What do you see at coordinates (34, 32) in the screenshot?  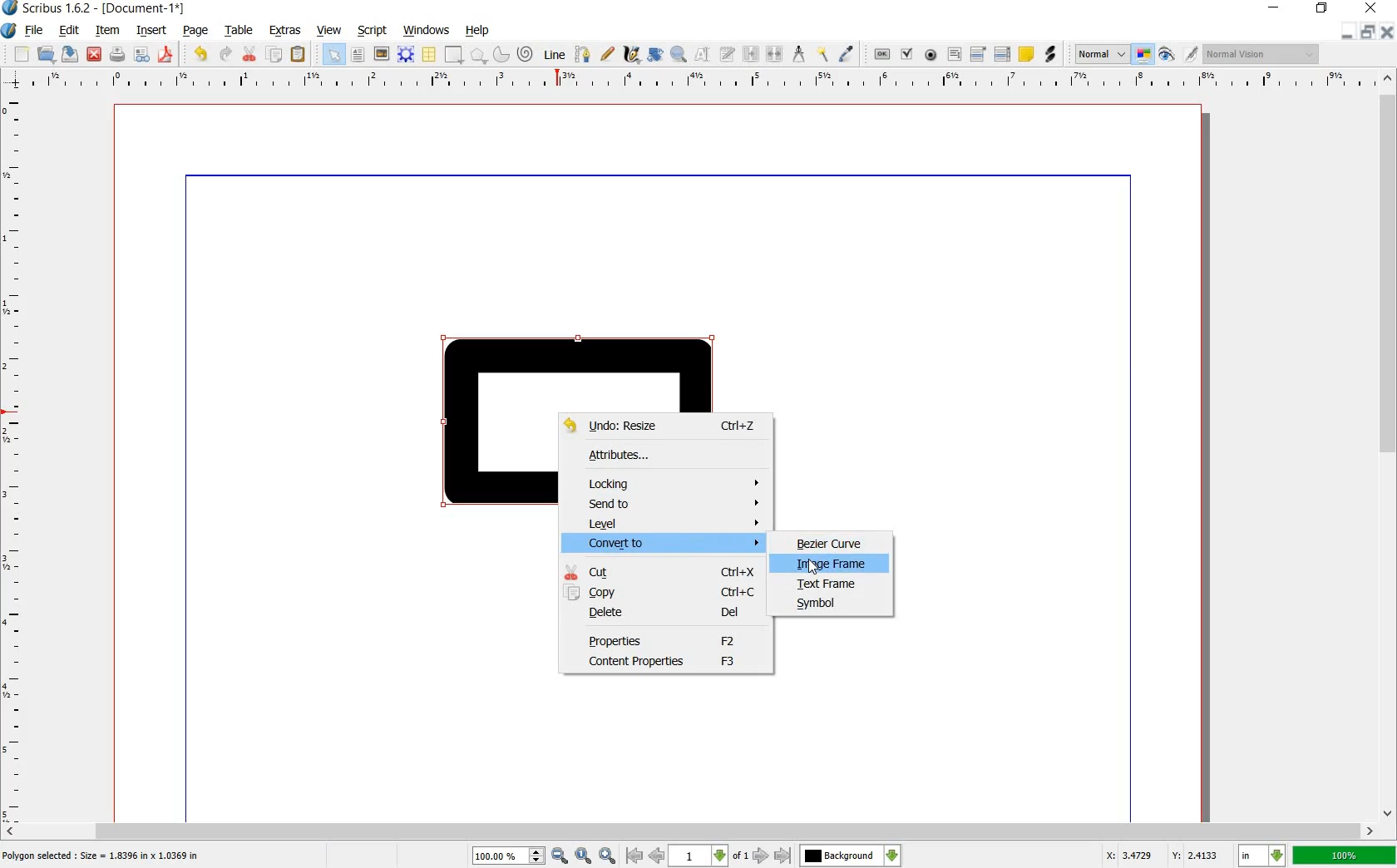 I see `file` at bounding box center [34, 32].